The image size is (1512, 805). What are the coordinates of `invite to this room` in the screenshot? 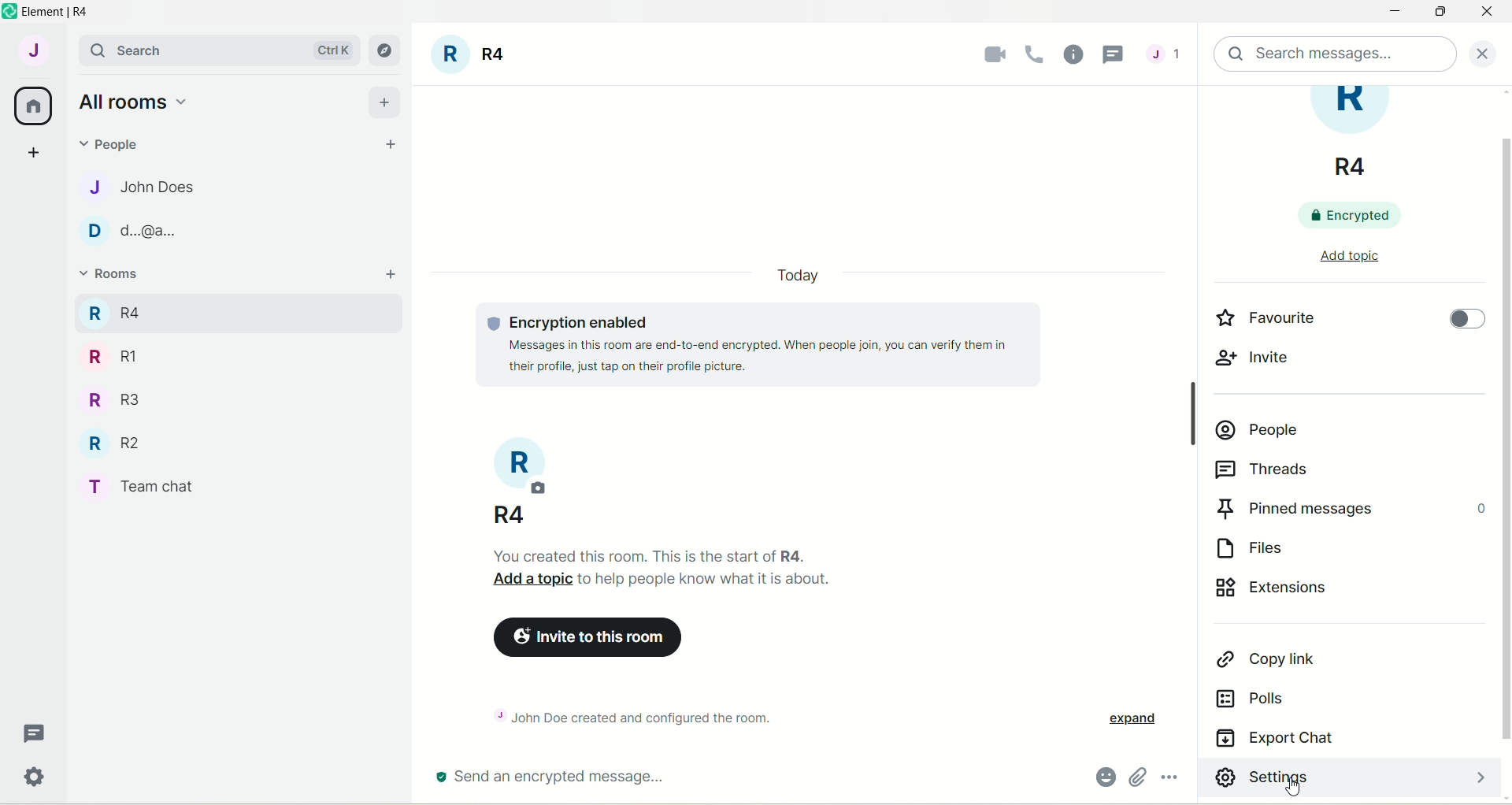 It's located at (593, 639).